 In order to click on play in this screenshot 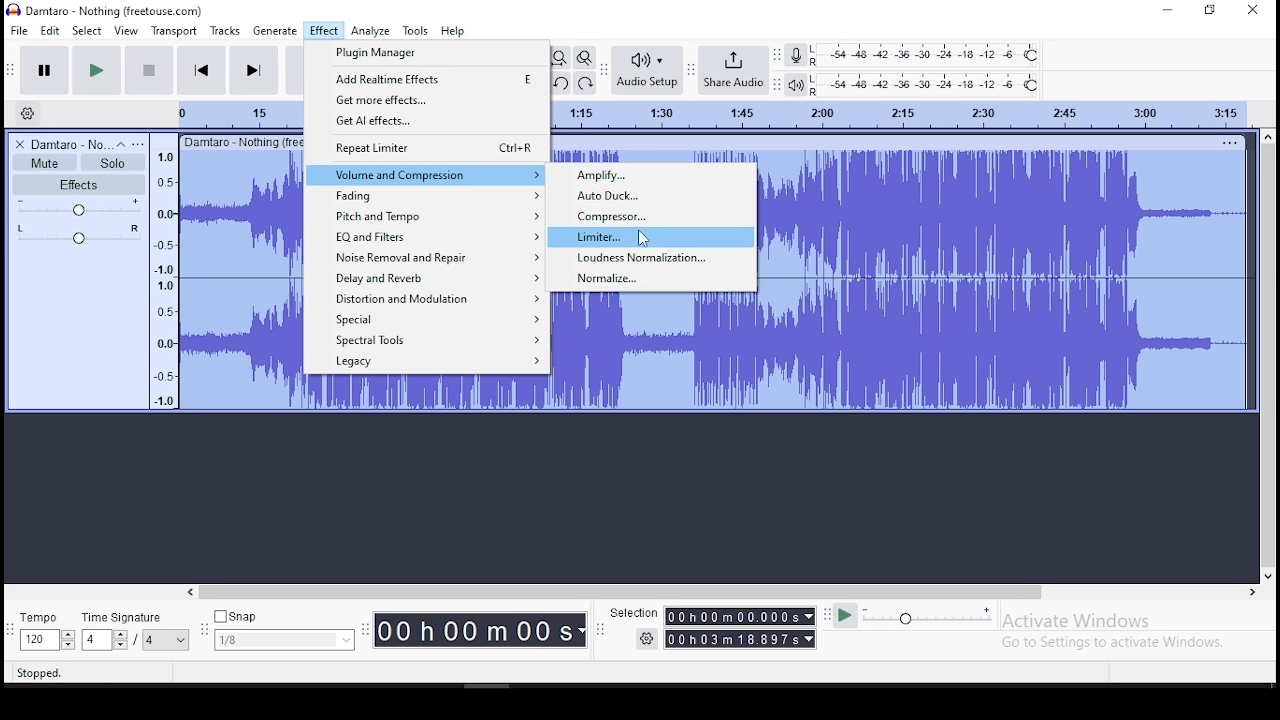, I will do `click(100, 69)`.